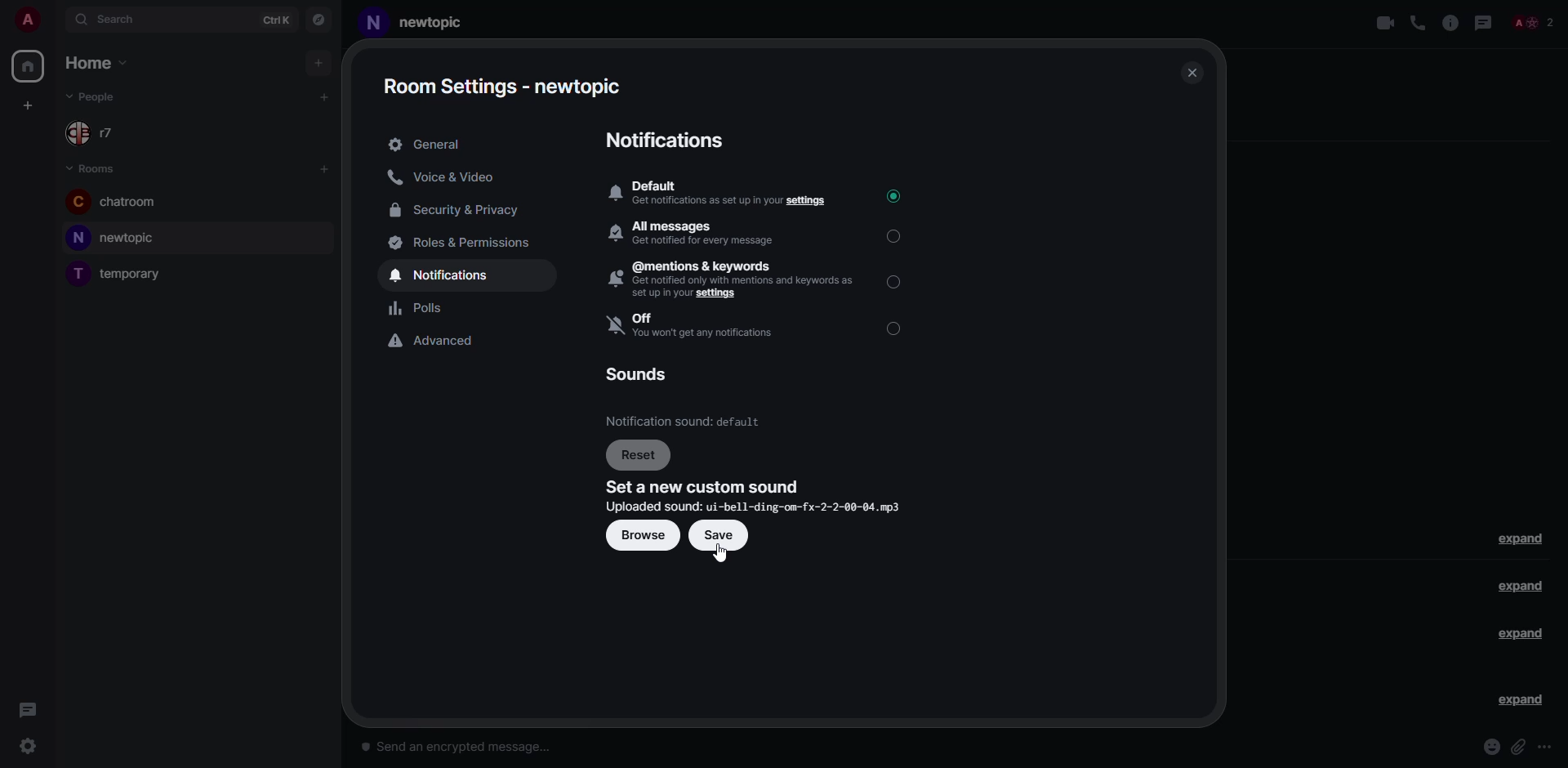 The width and height of the screenshot is (1568, 768). I want to click on advanced, so click(439, 342).